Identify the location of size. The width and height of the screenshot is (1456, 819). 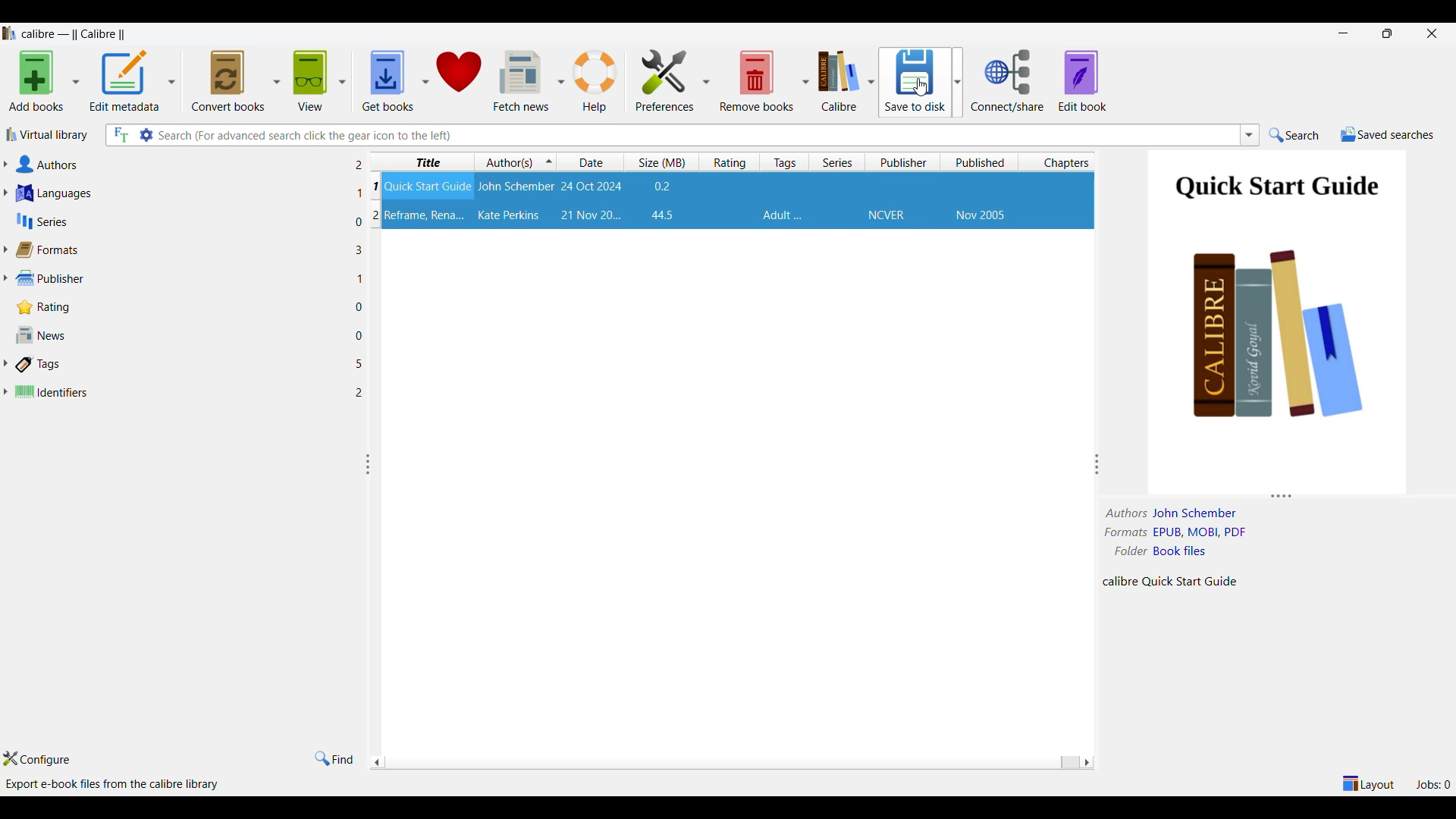
(663, 215).